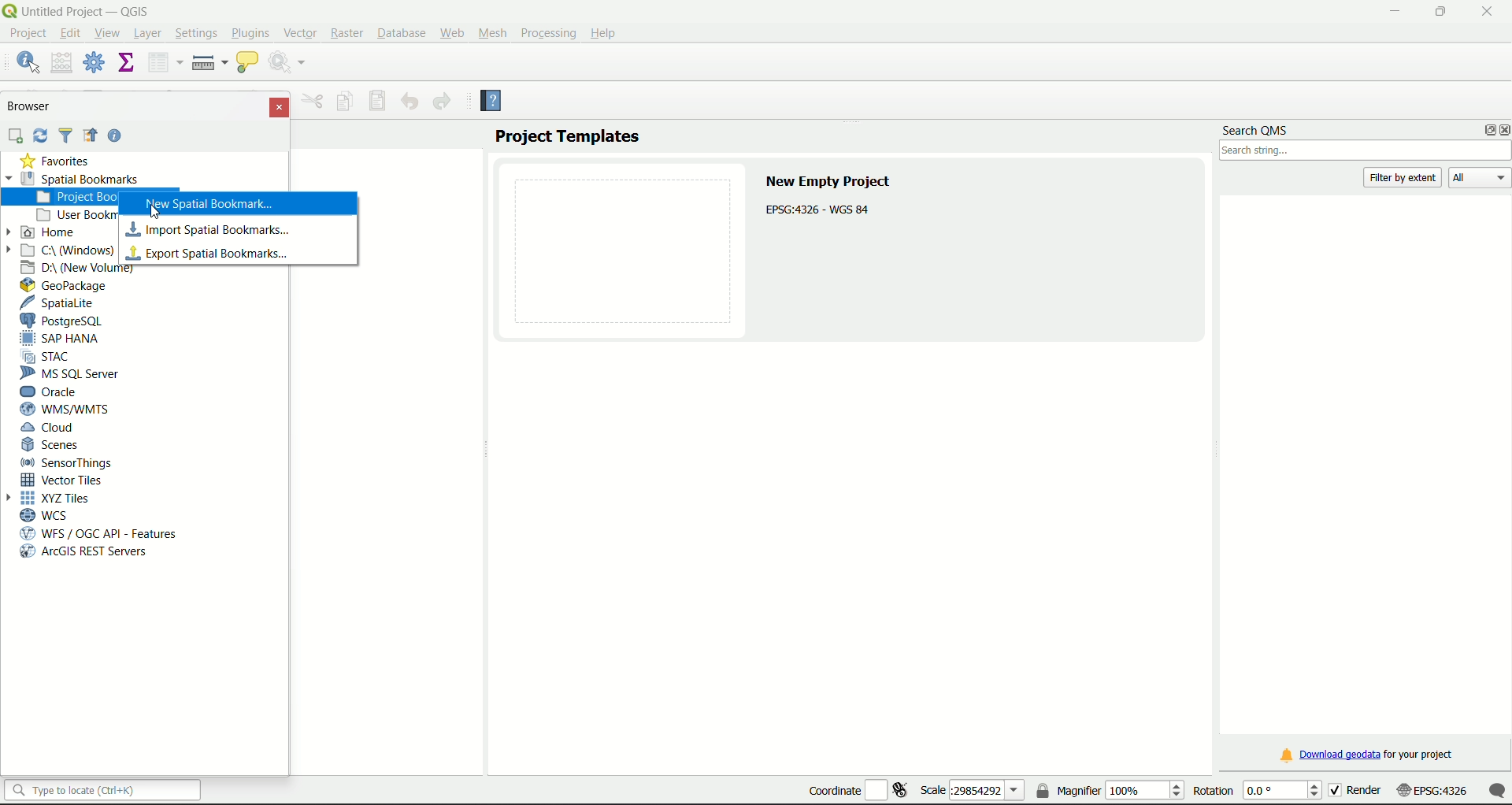 Image resolution: width=1512 pixels, height=805 pixels. I want to click on XYZ Tiles, so click(55, 499).